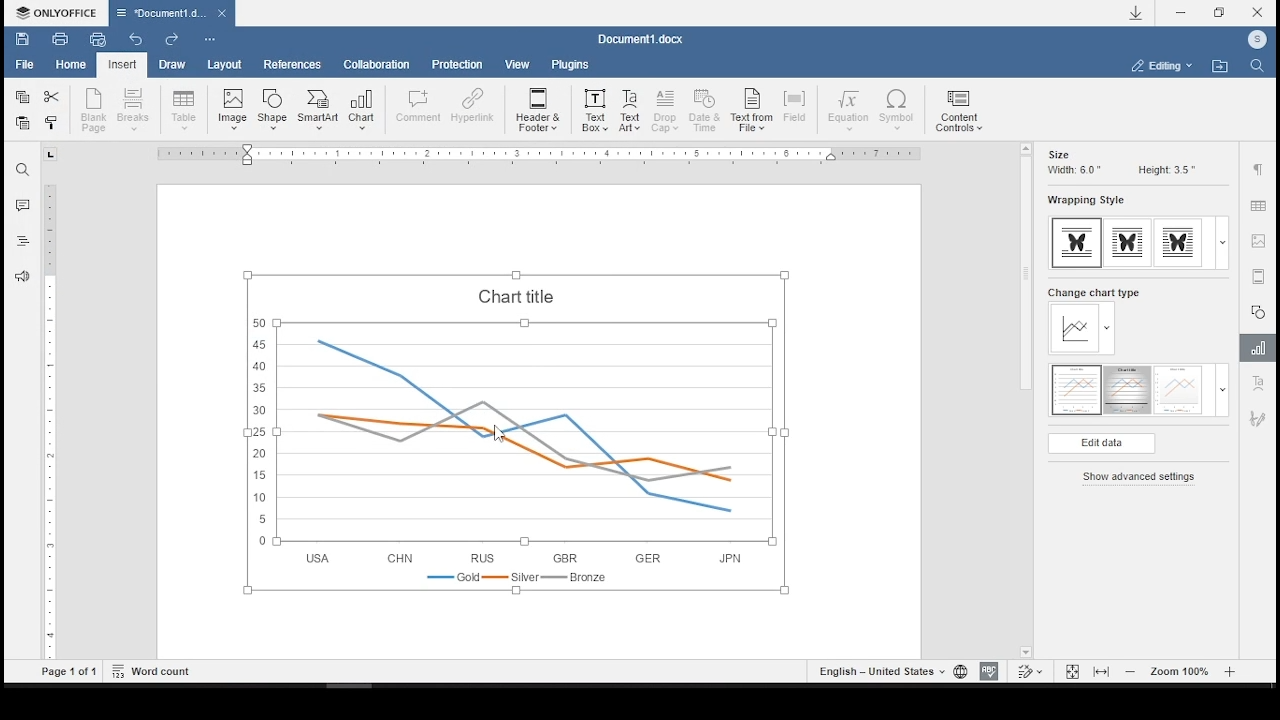  What do you see at coordinates (54, 125) in the screenshot?
I see `close style` at bounding box center [54, 125].